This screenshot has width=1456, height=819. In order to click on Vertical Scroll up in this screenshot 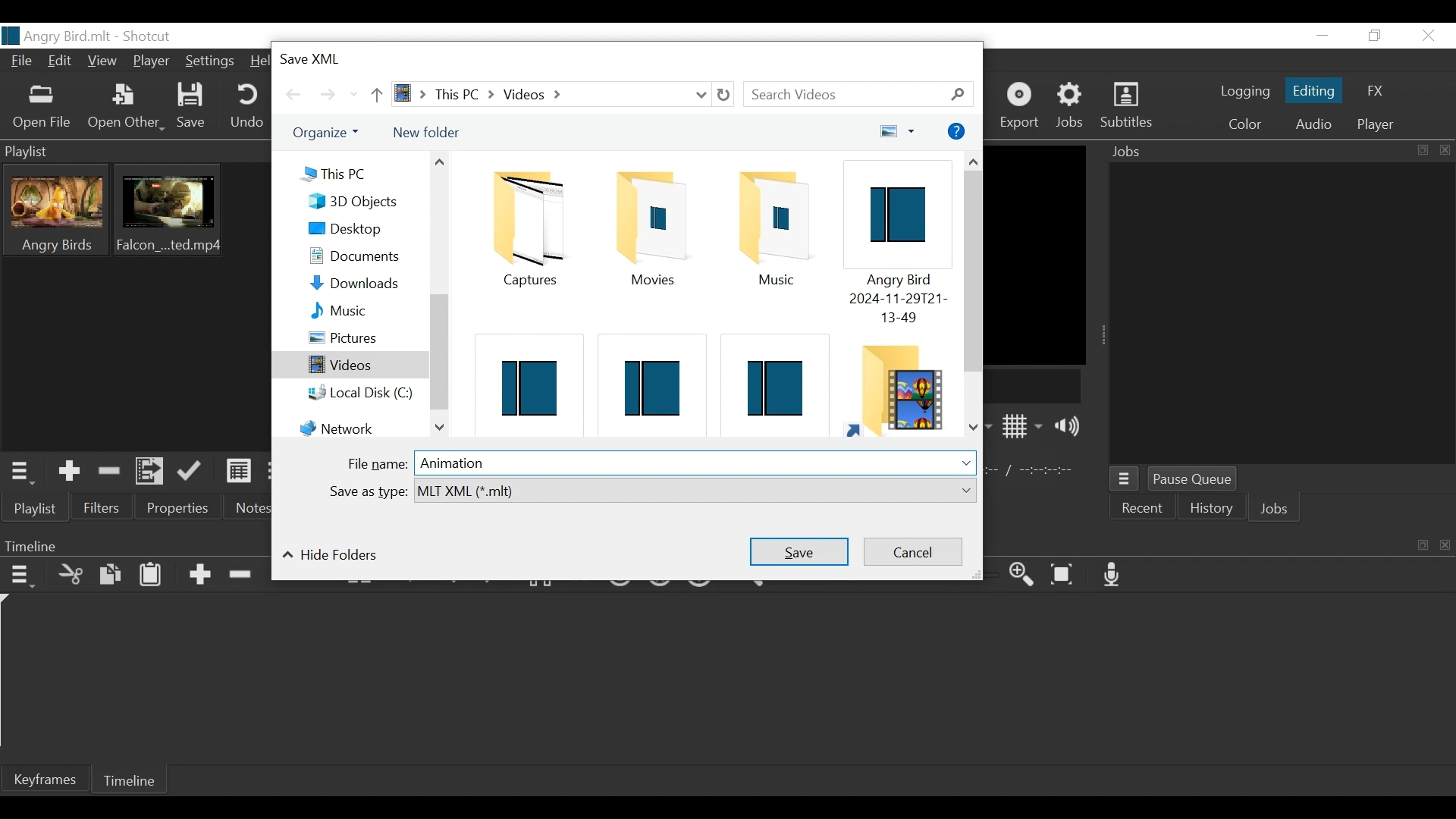, I will do `click(977, 272)`.